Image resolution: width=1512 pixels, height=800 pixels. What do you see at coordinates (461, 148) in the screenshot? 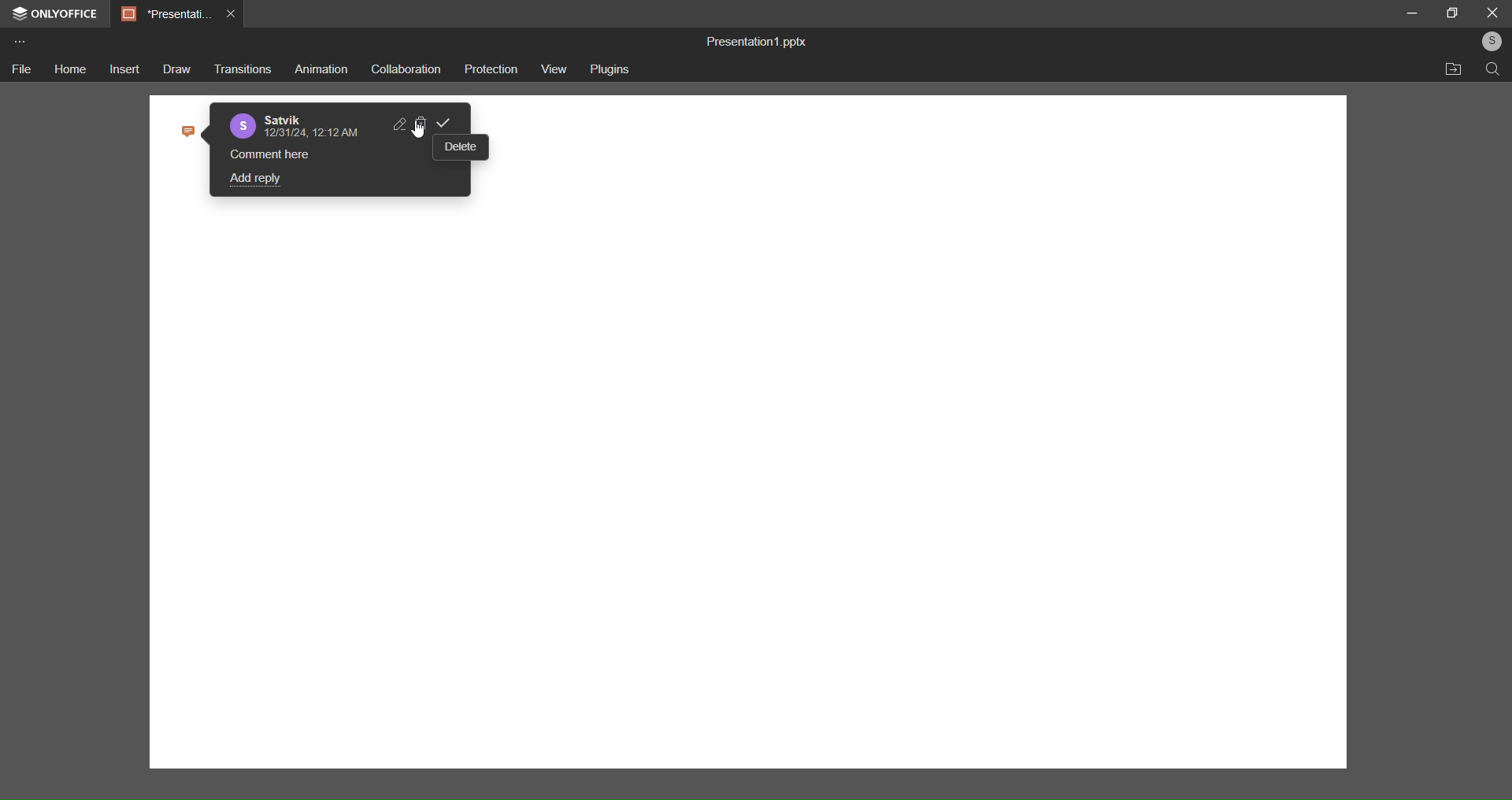
I see `delete` at bounding box center [461, 148].